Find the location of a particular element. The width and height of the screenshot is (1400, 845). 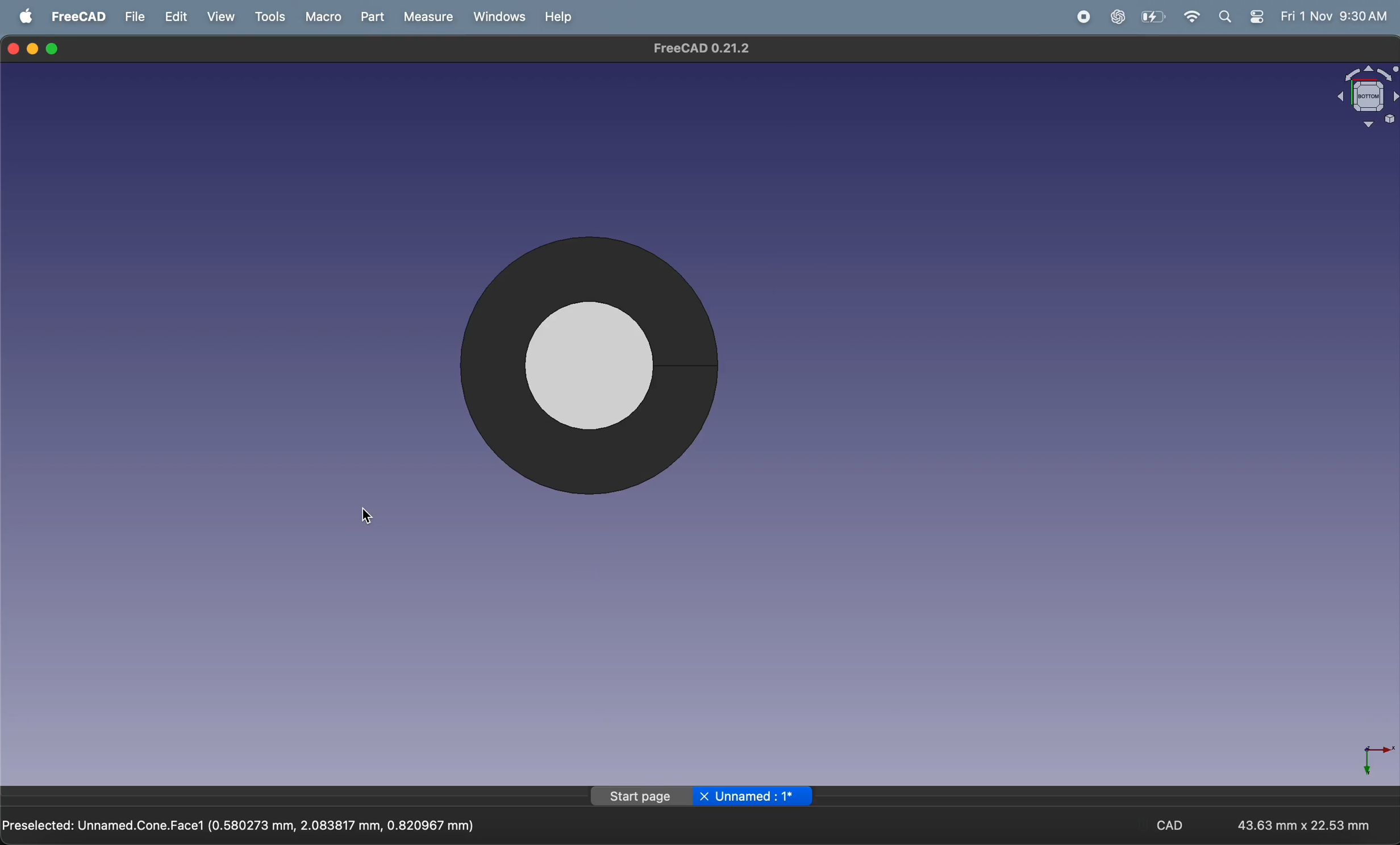

battery is located at coordinates (1153, 16).